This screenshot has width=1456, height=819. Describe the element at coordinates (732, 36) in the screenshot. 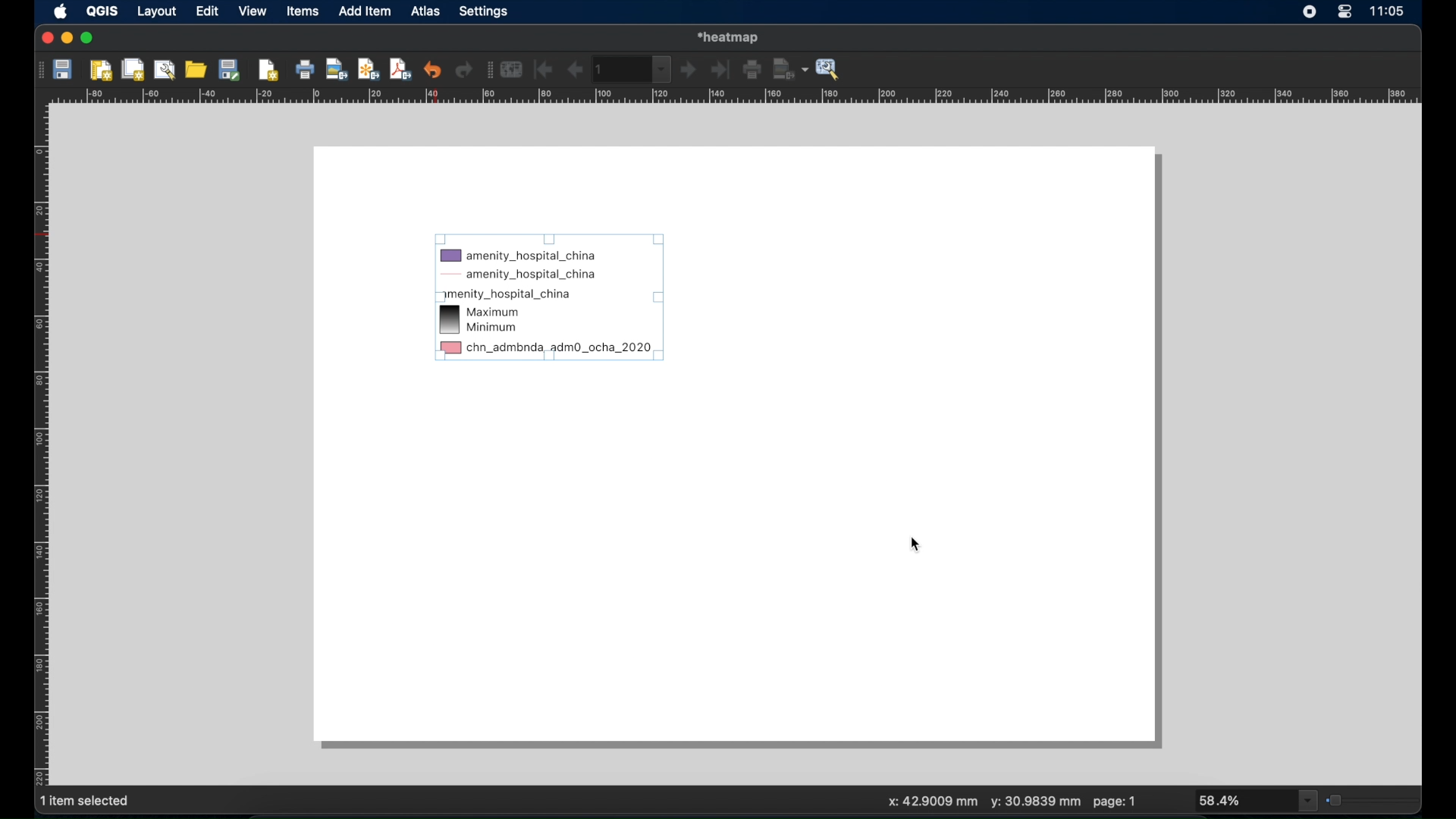

I see `heat map` at that location.